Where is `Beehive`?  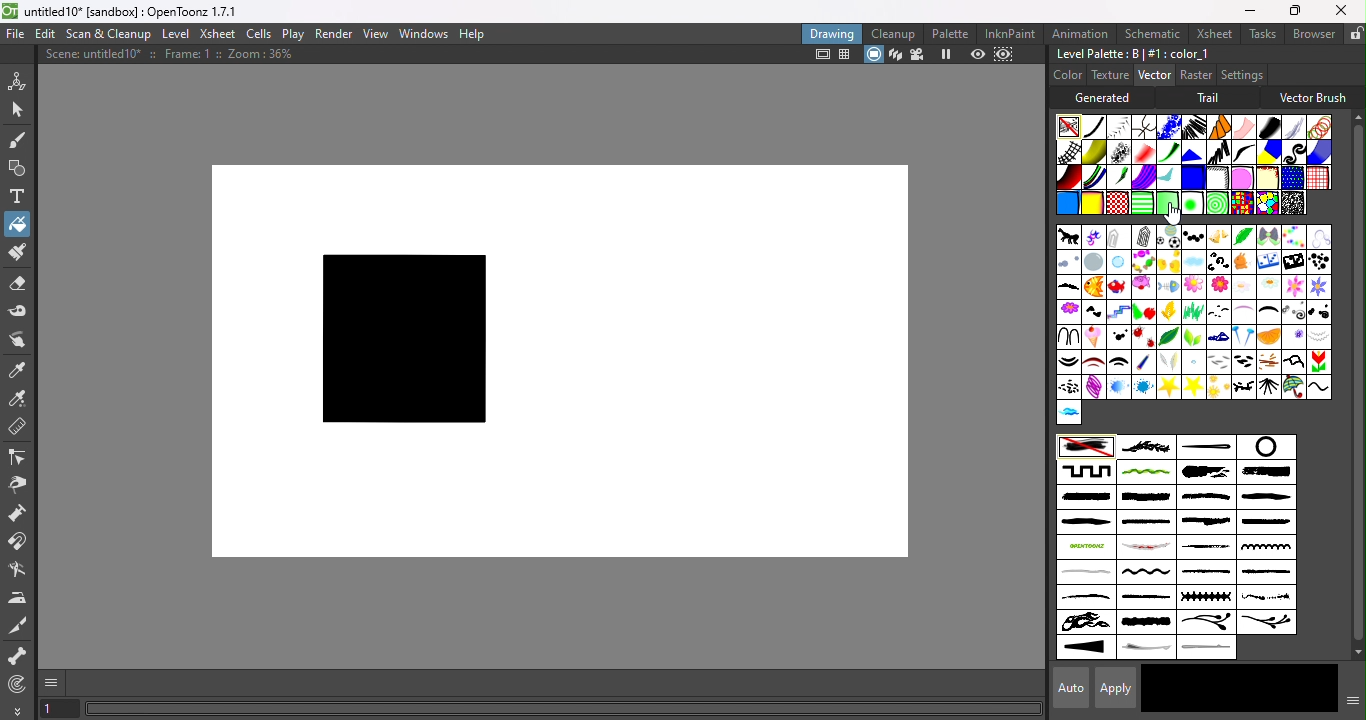
Beehive is located at coordinates (1266, 204).